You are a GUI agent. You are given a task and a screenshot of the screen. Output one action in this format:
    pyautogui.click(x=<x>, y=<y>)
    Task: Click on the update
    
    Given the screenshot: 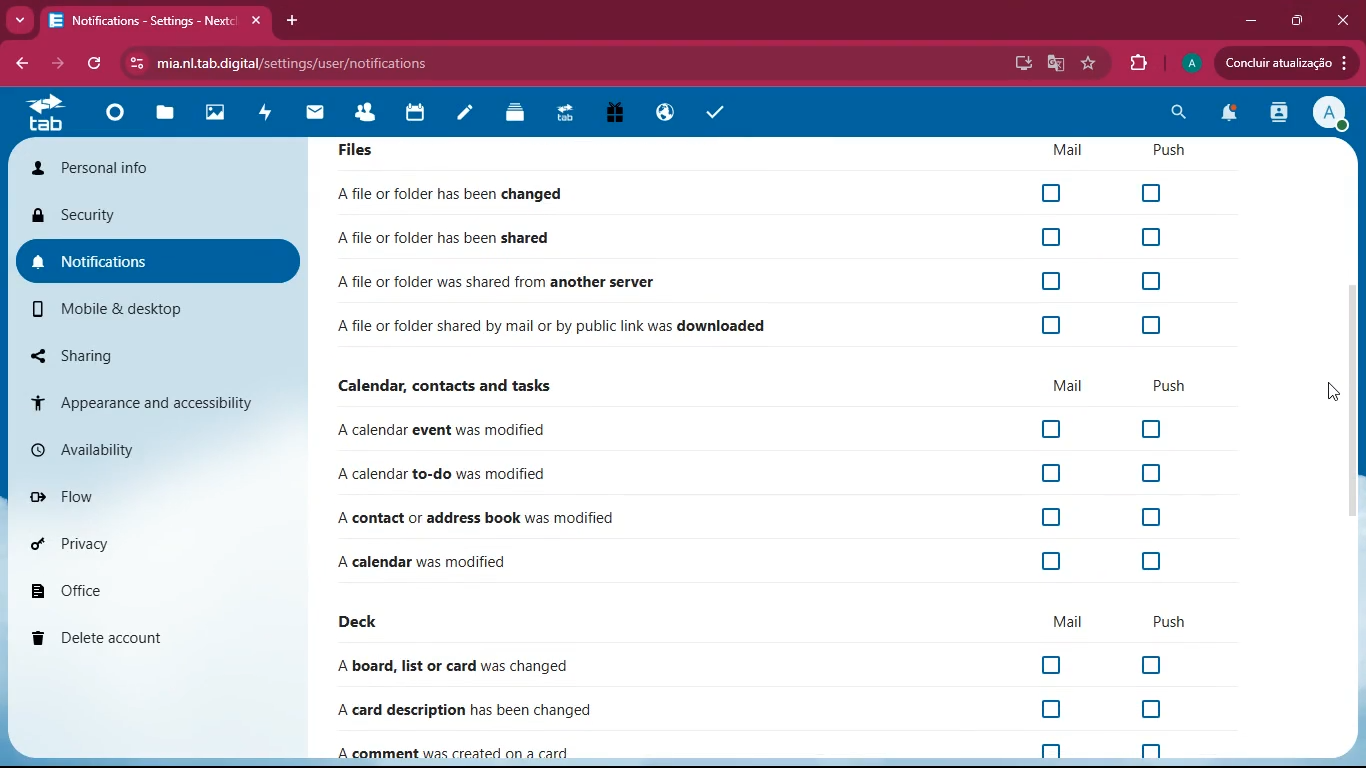 What is the action you would take?
    pyautogui.click(x=1284, y=63)
    